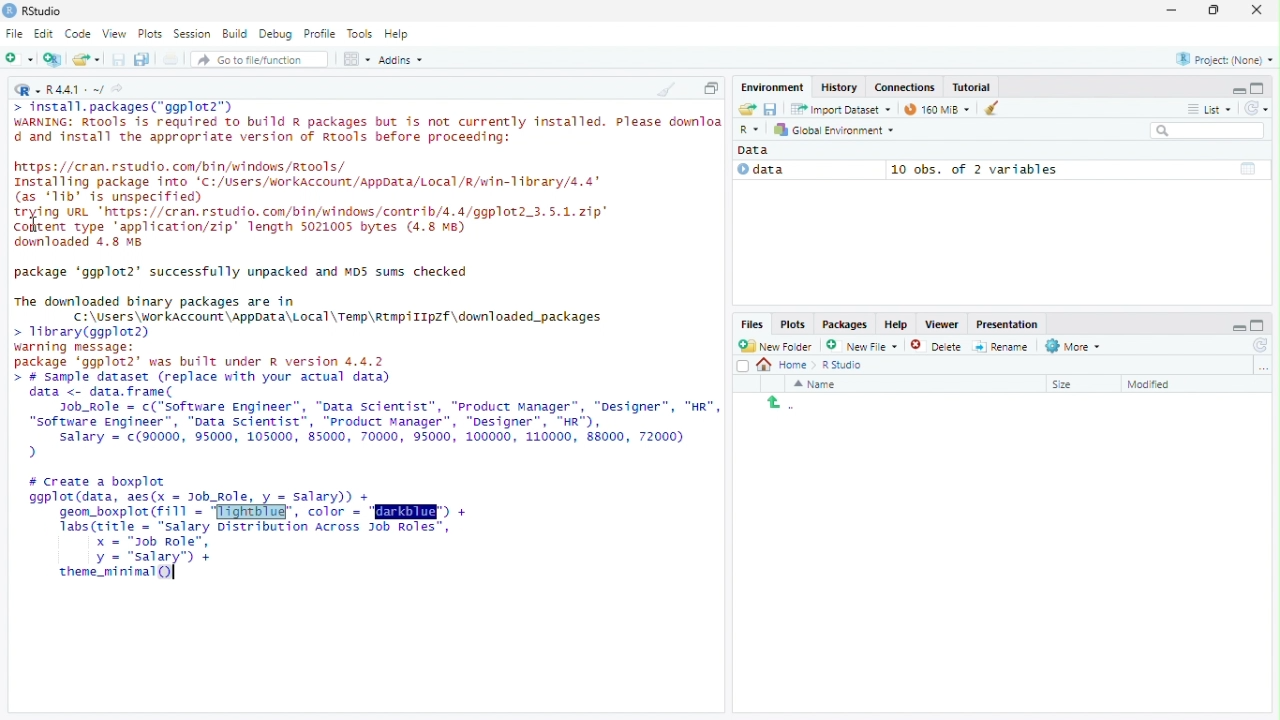 The image size is (1280, 720). What do you see at coordinates (1209, 131) in the screenshot?
I see `Search` at bounding box center [1209, 131].